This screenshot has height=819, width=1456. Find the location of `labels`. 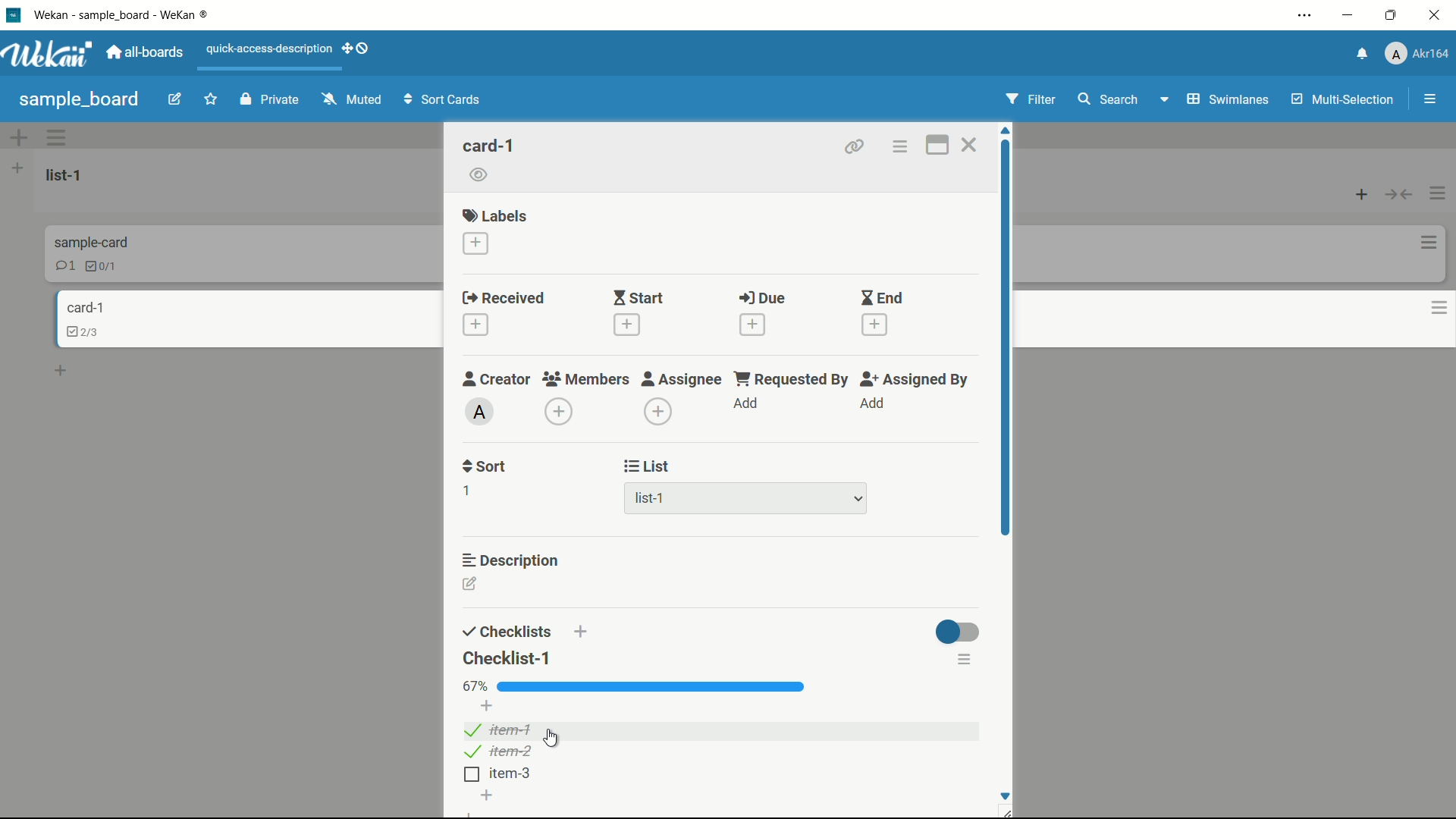

labels is located at coordinates (494, 215).